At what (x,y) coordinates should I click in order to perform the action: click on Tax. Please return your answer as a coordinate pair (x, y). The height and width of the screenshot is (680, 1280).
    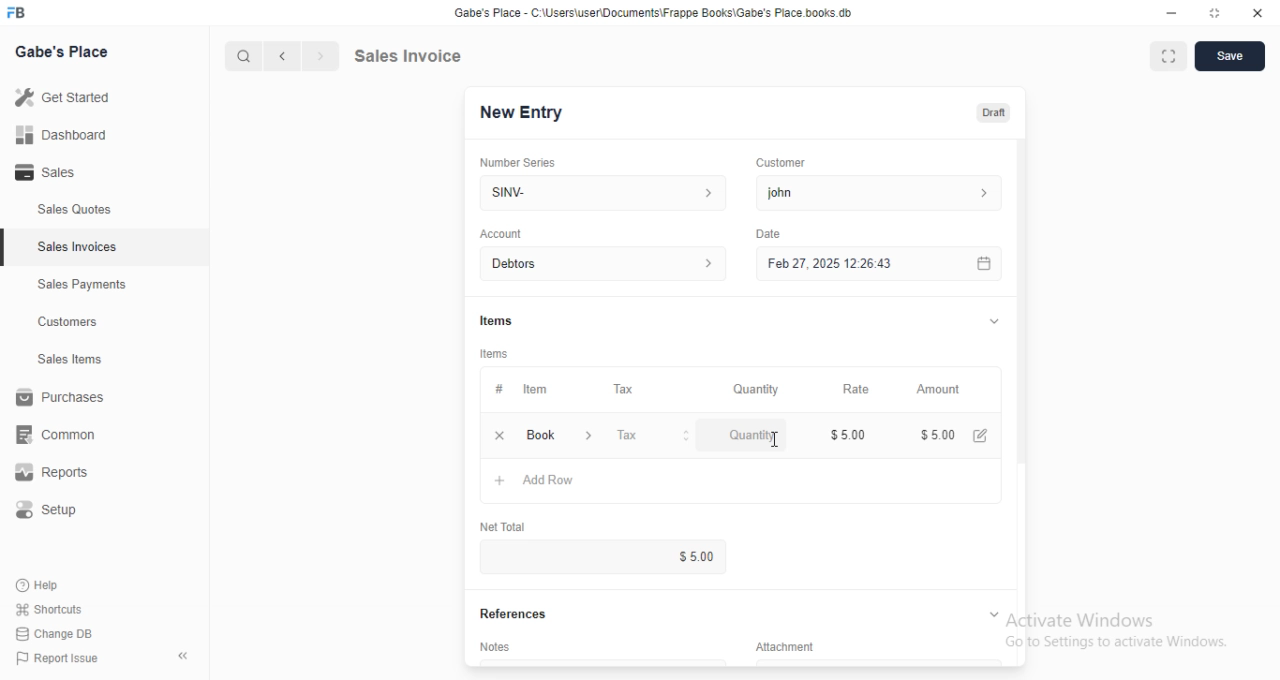
    Looking at the image, I should click on (656, 436).